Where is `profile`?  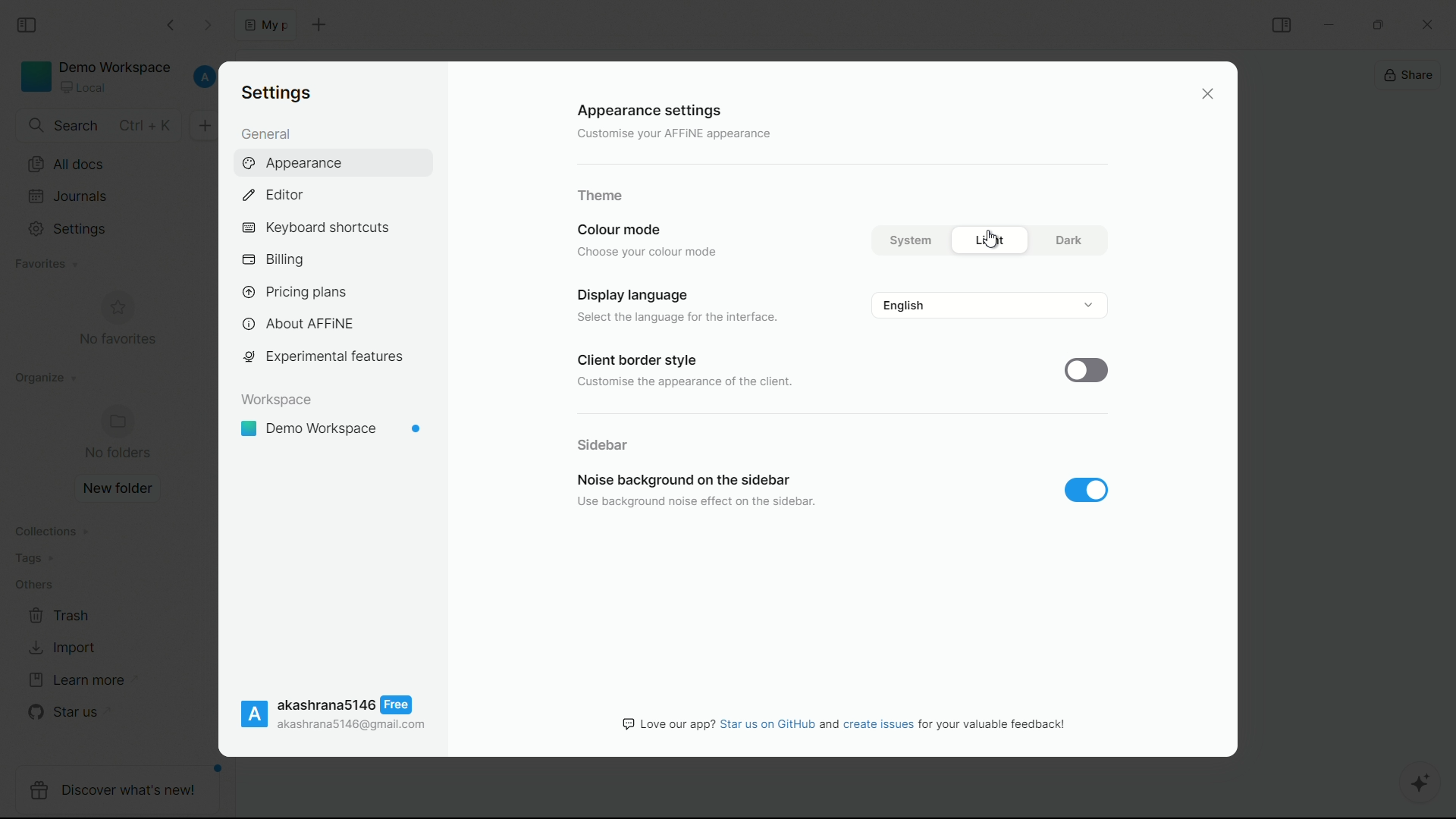
profile is located at coordinates (202, 77).